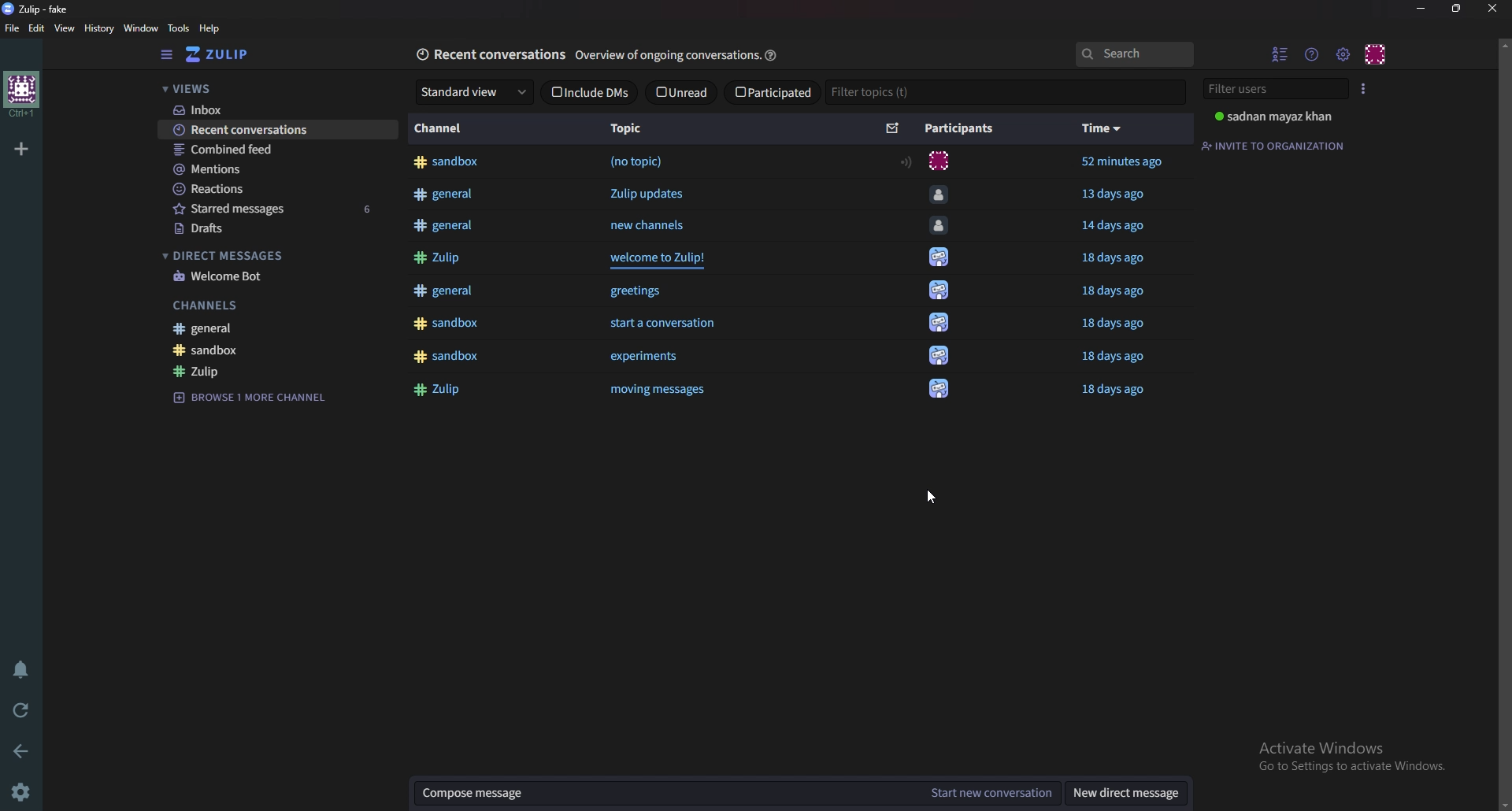 The width and height of the screenshot is (1512, 811). I want to click on cursor, so click(936, 494).